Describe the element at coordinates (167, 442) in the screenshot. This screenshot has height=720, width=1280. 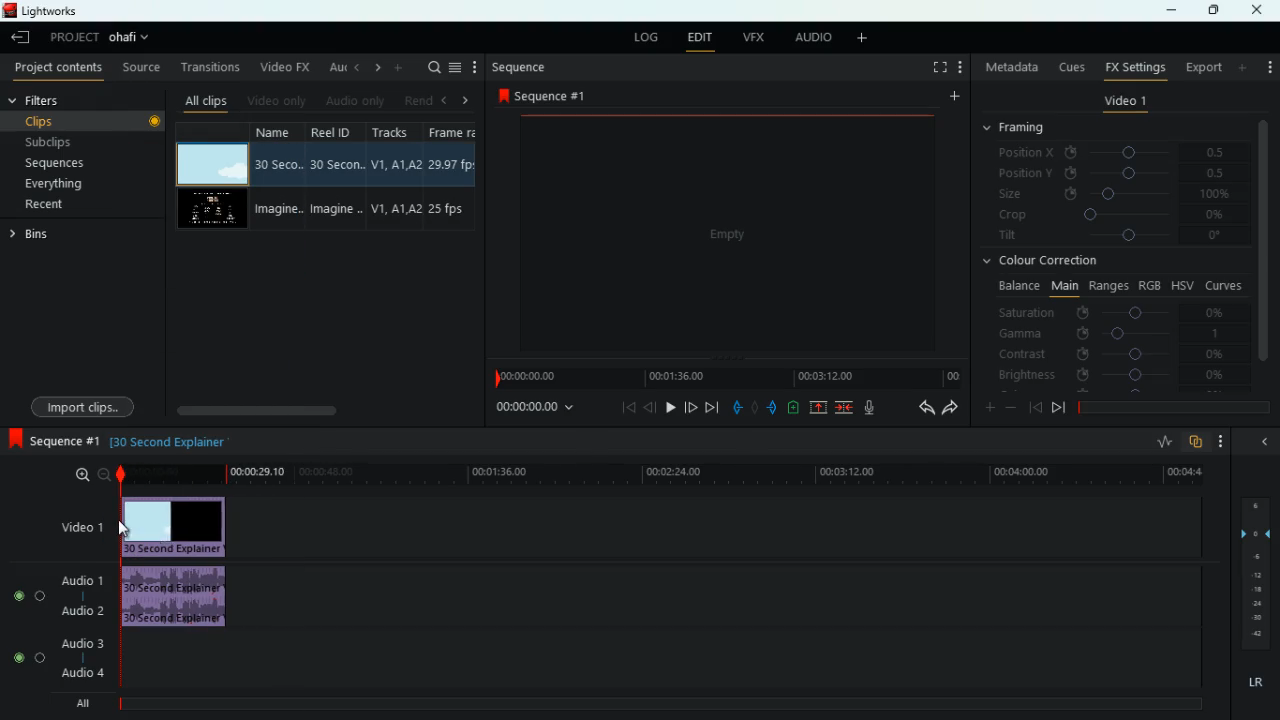
I see `time` at that location.